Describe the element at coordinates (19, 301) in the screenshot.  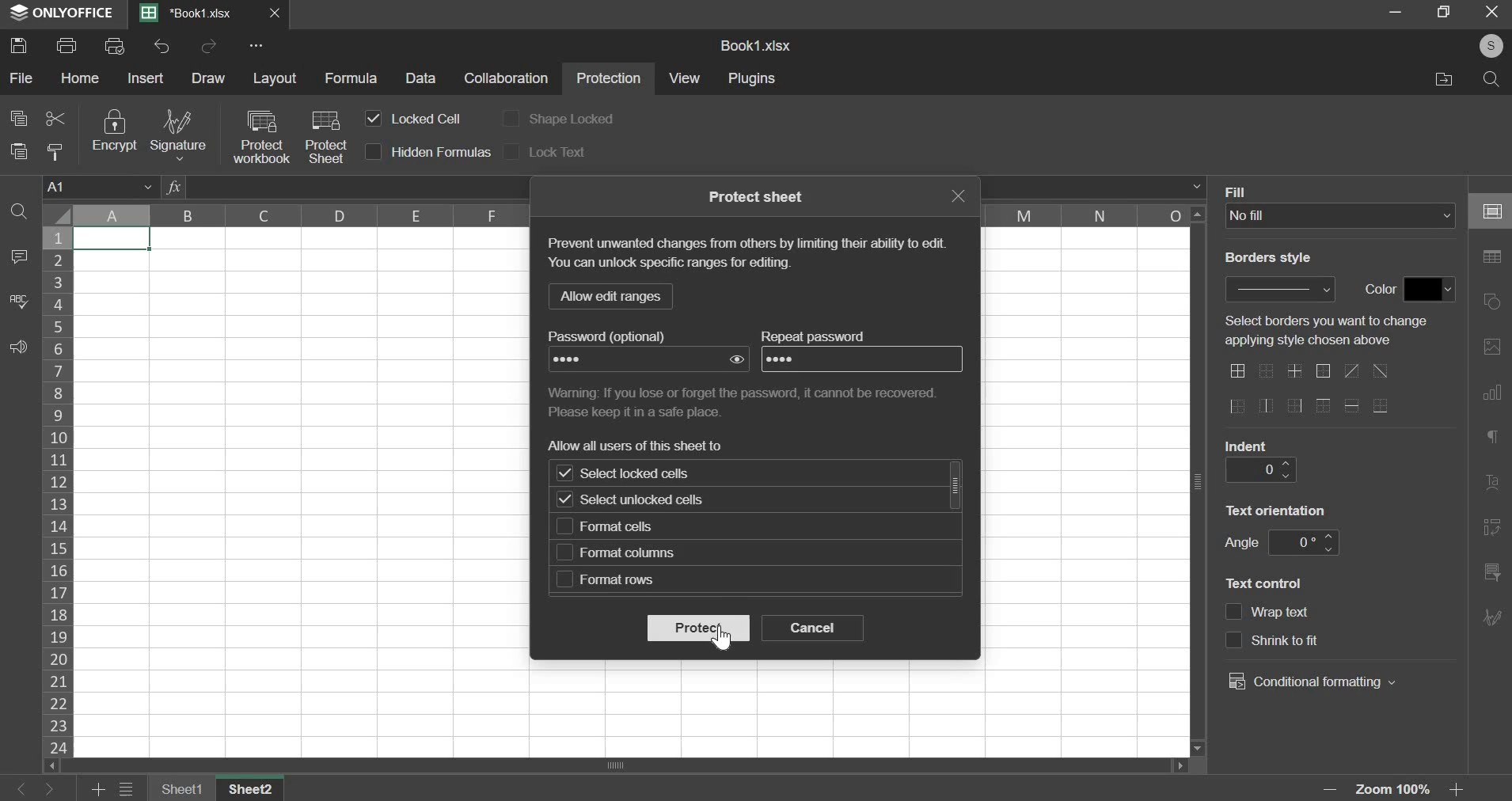
I see `spelling` at that location.